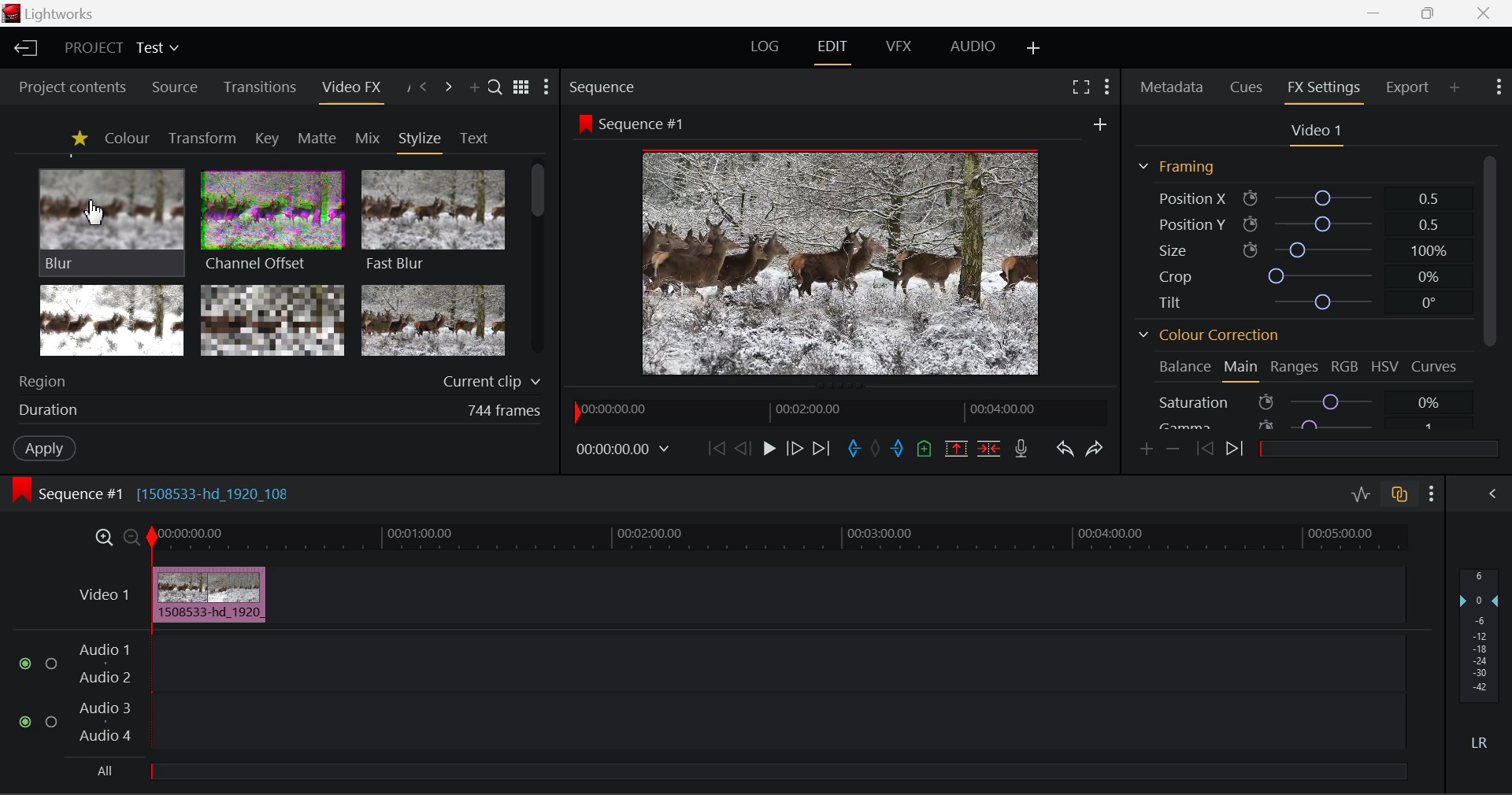 Image resolution: width=1512 pixels, height=795 pixels. Describe the element at coordinates (1145, 449) in the screenshot. I see `Add keyframe` at that location.